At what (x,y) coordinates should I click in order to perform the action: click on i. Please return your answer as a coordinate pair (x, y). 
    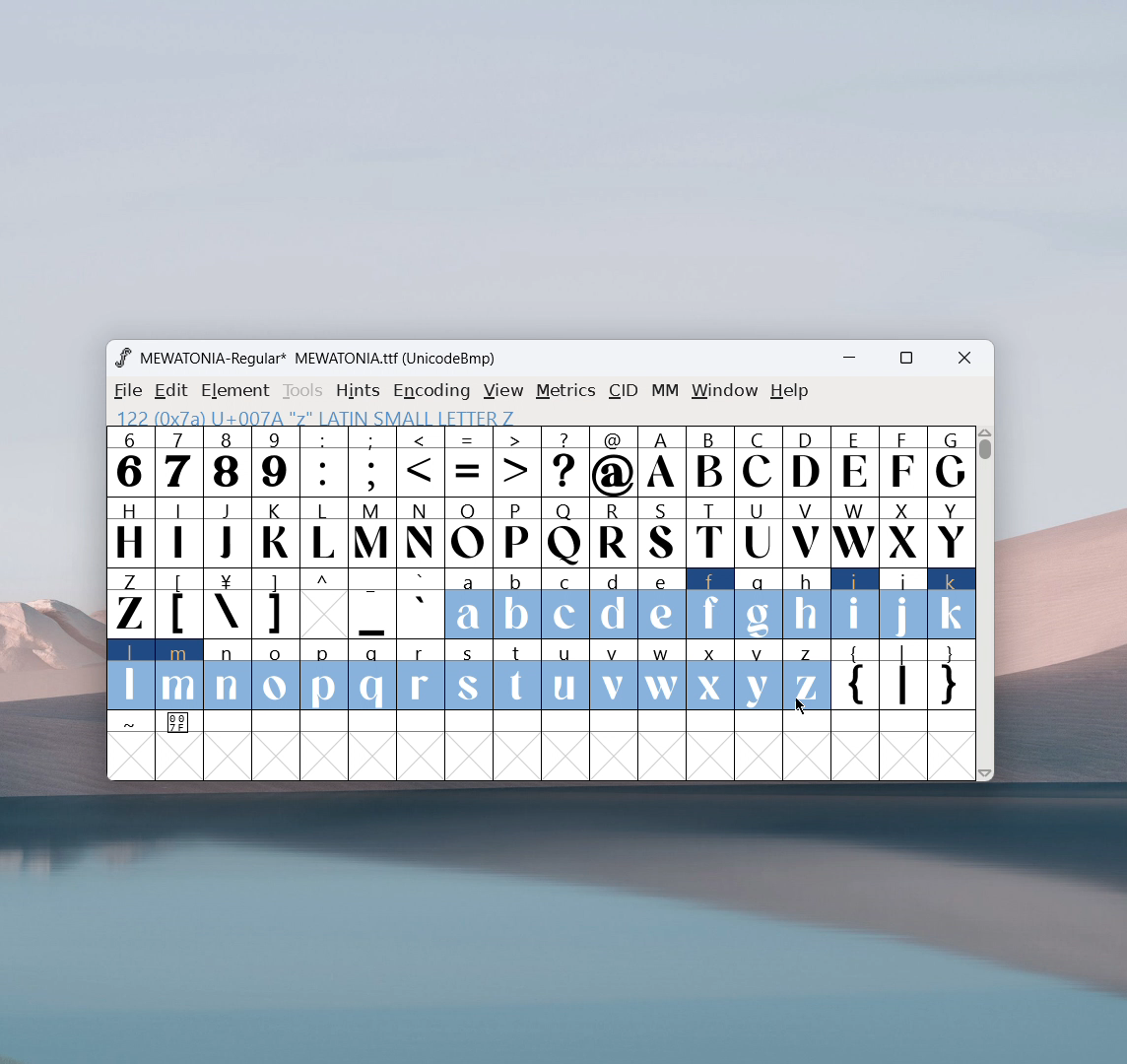
    Looking at the image, I should click on (855, 604).